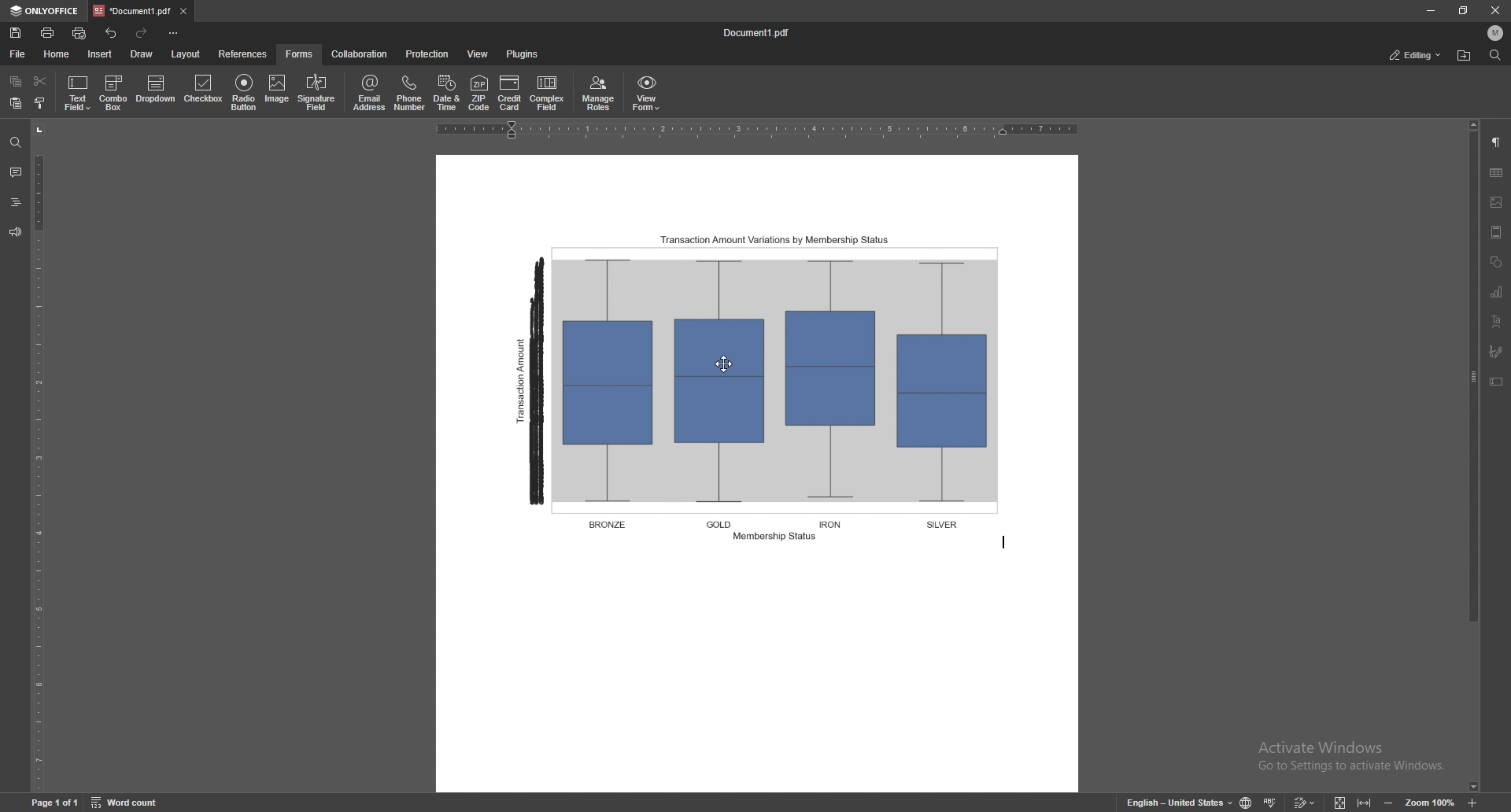 Image resolution: width=1511 pixels, height=812 pixels. I want to click on signature, so click(1498, 352).